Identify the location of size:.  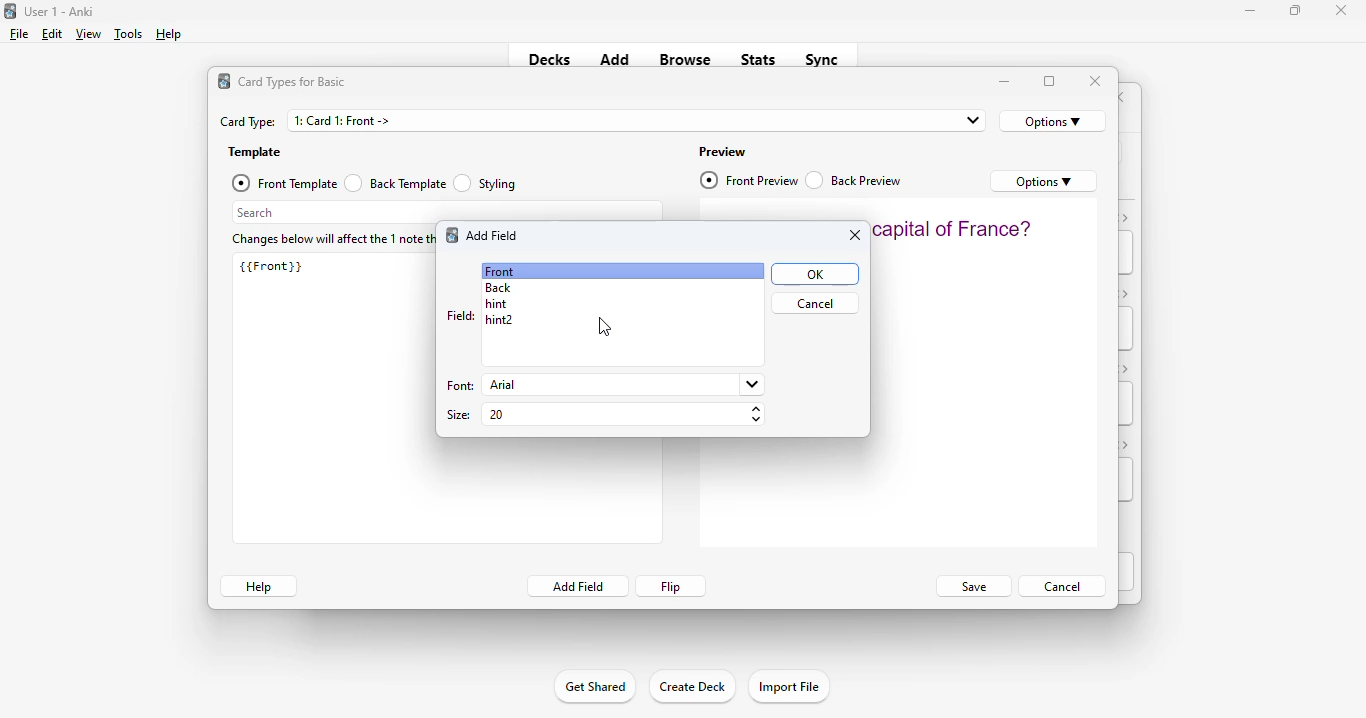
(459, 415).